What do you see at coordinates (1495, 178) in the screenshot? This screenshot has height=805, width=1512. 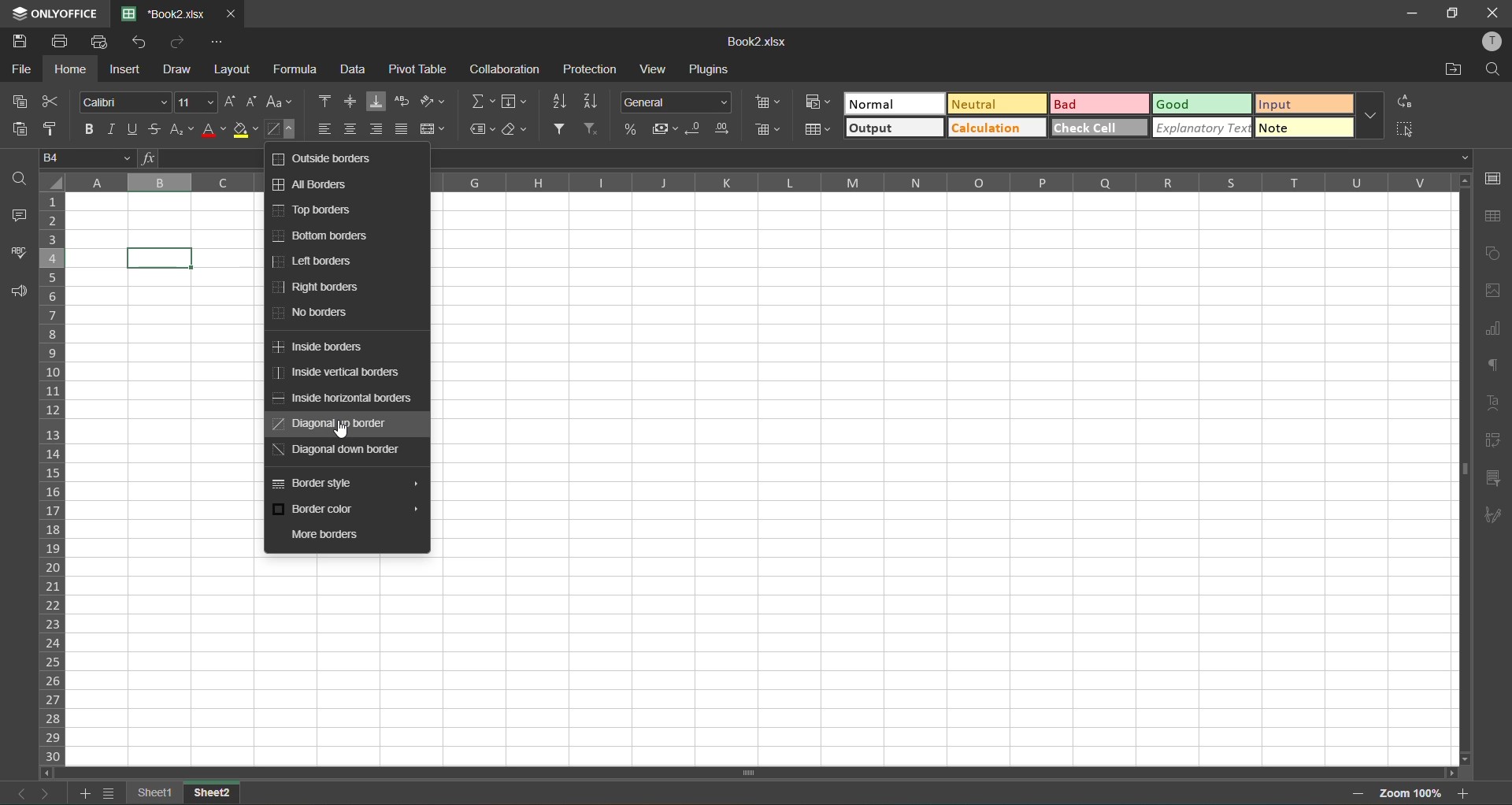 I see `cell settings` at bounding box center [1495, 178].